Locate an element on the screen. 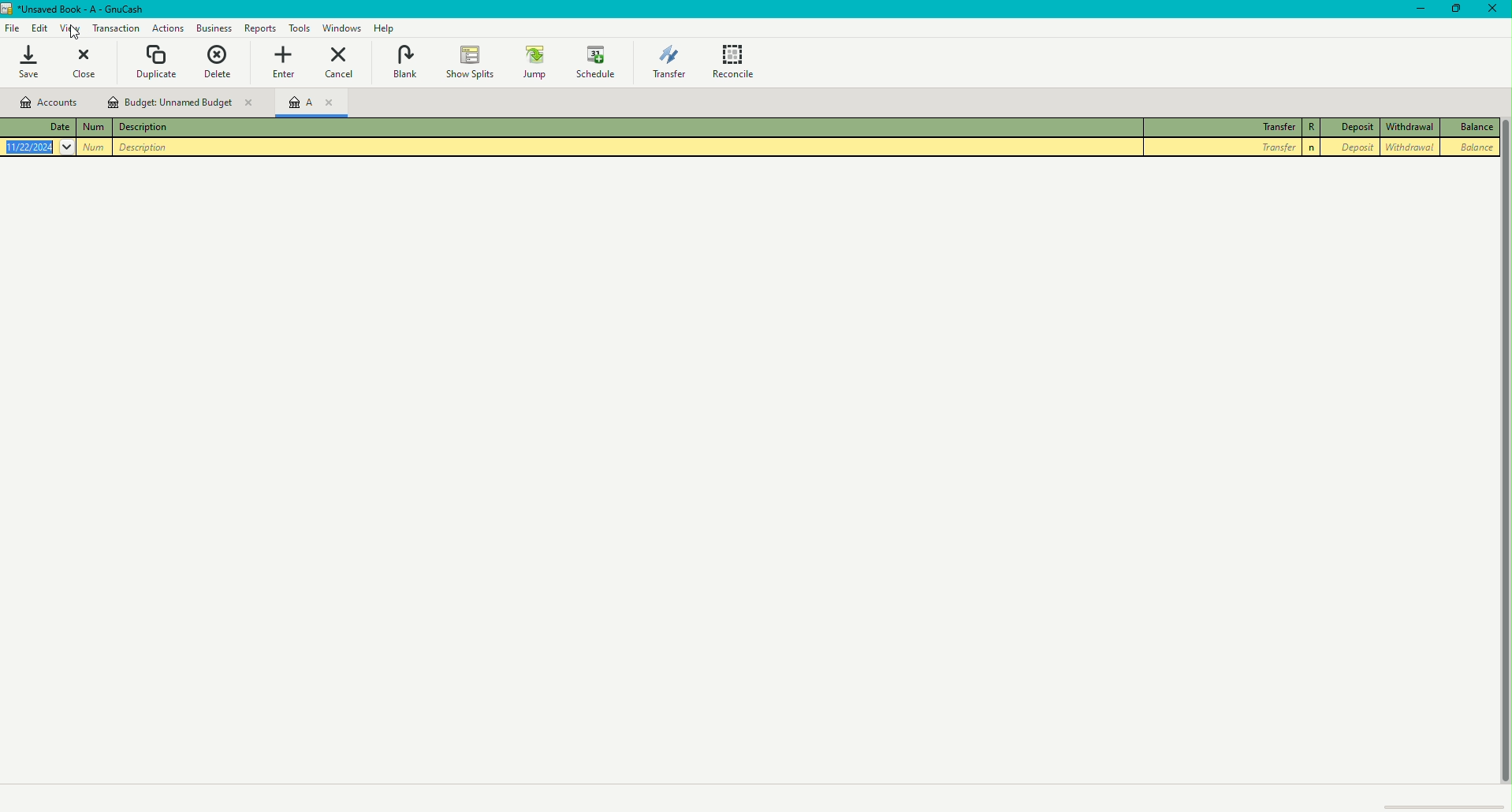 The width and height of the screenshot is (1512, 812). scroll bar is located at coordinates (1502, 470).